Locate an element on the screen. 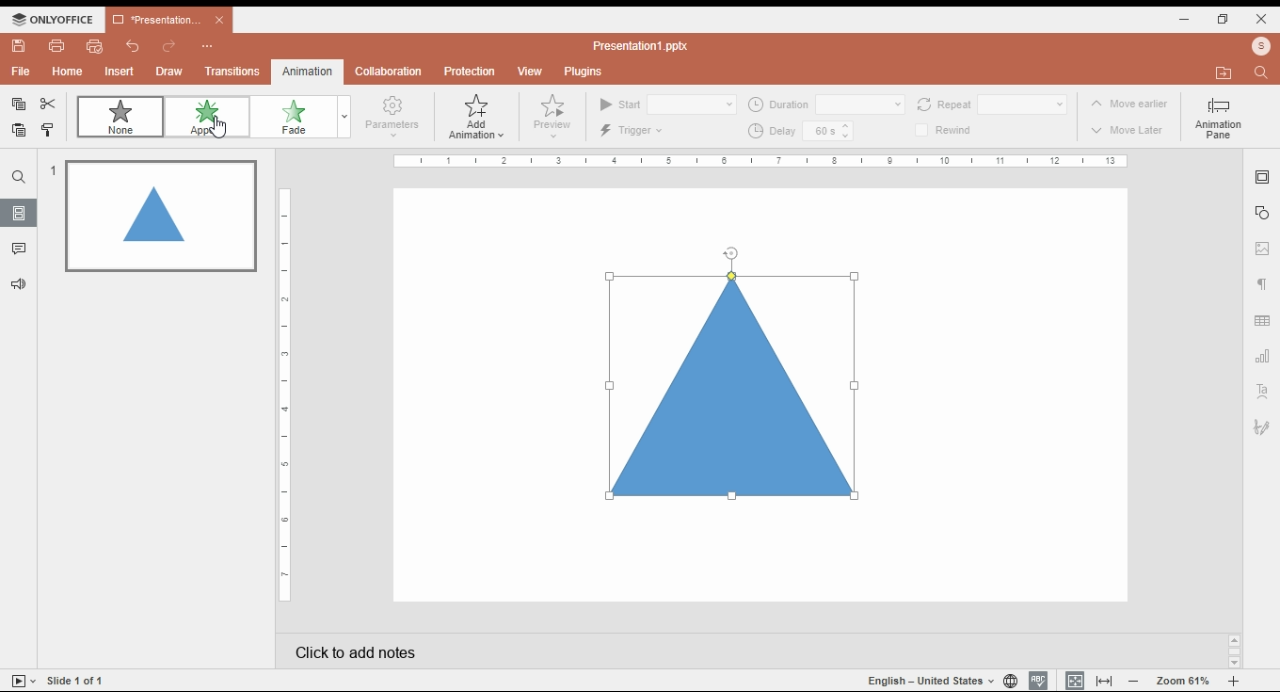  animation: appear is located at coordinates (204, 118).